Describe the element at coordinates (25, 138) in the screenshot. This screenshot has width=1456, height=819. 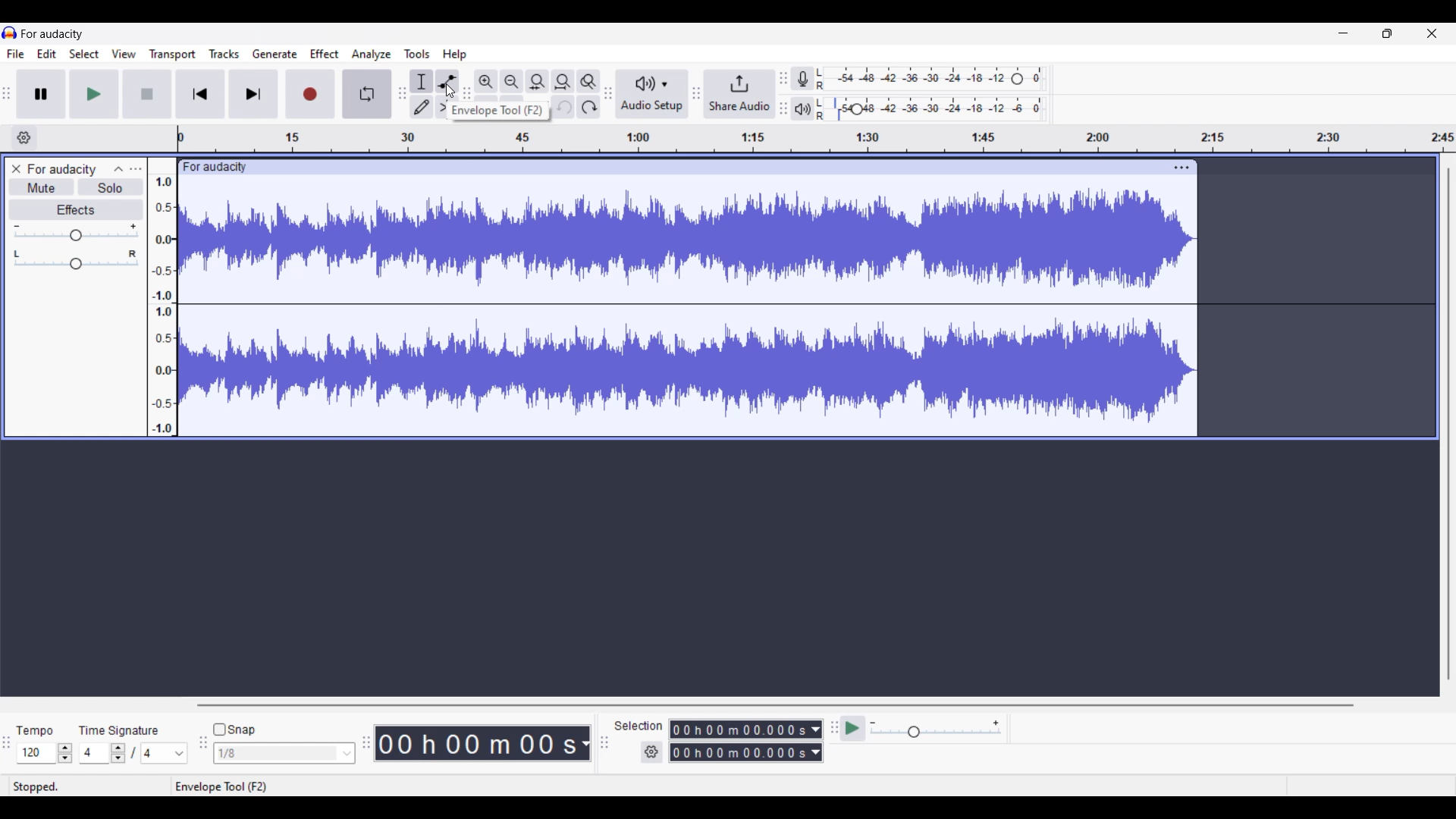
I see `Timeline options` at that location.